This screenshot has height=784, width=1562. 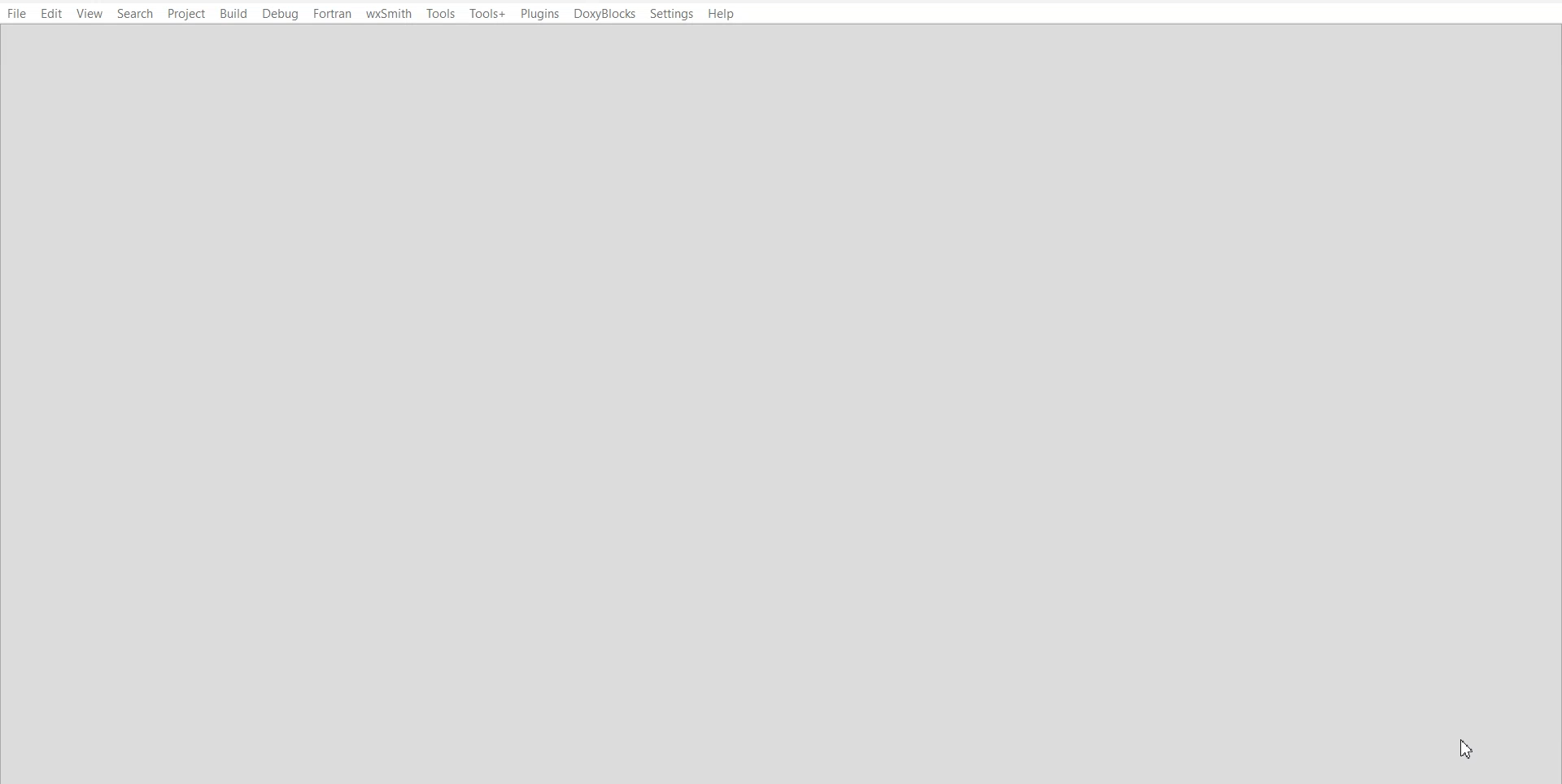 I want to click on Search, so click(x=135, y=14).